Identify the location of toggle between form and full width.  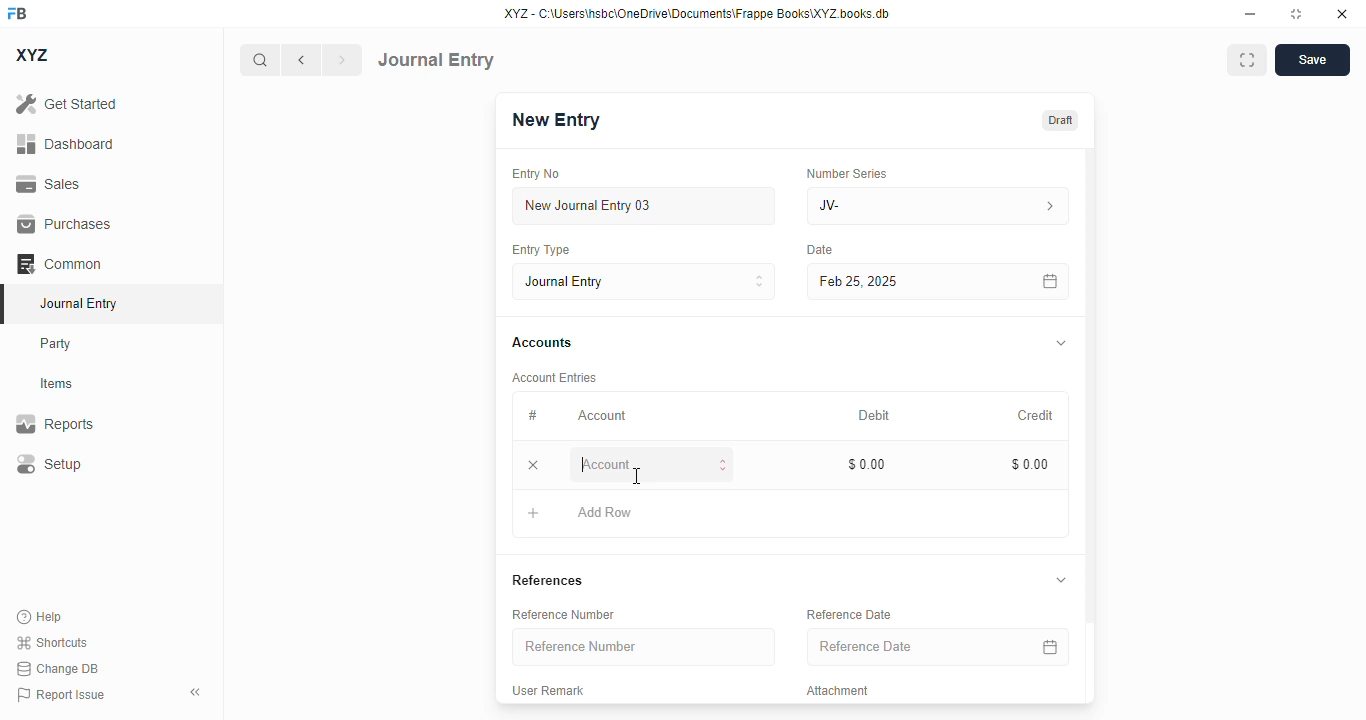
(1248, 60).